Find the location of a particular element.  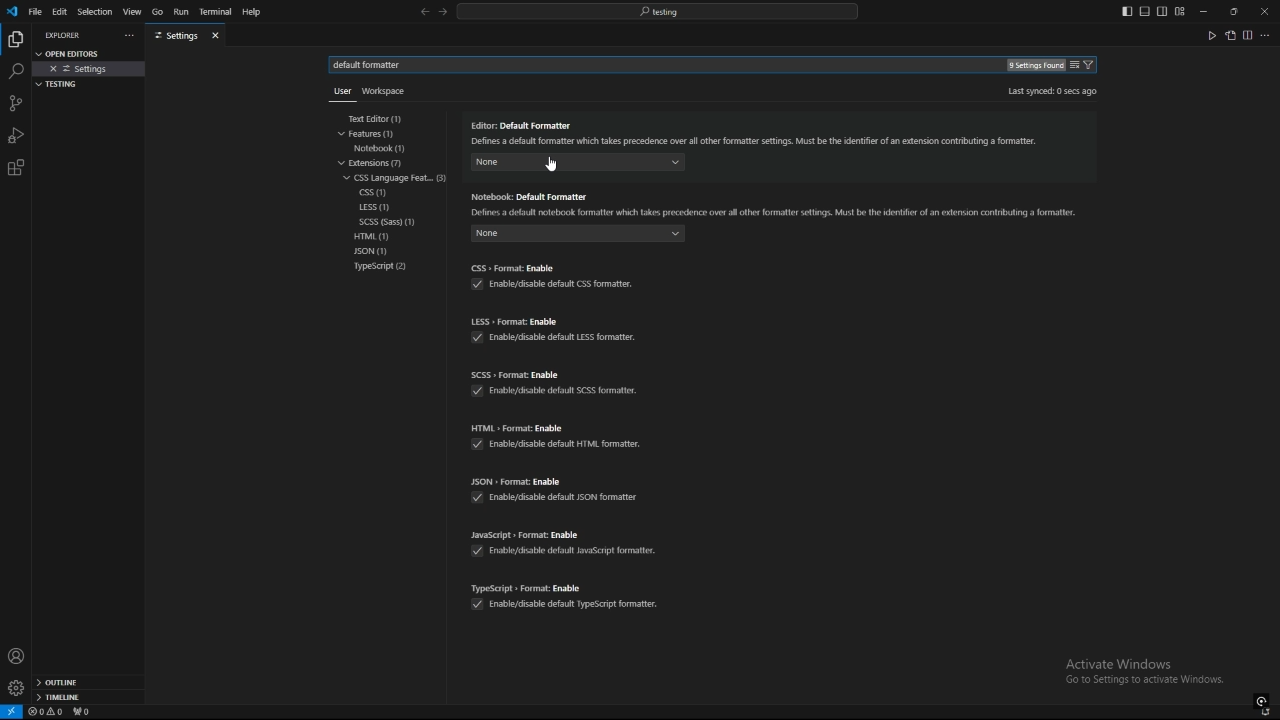

enable /disable default default html formatter is located at coordinates (559, 444).